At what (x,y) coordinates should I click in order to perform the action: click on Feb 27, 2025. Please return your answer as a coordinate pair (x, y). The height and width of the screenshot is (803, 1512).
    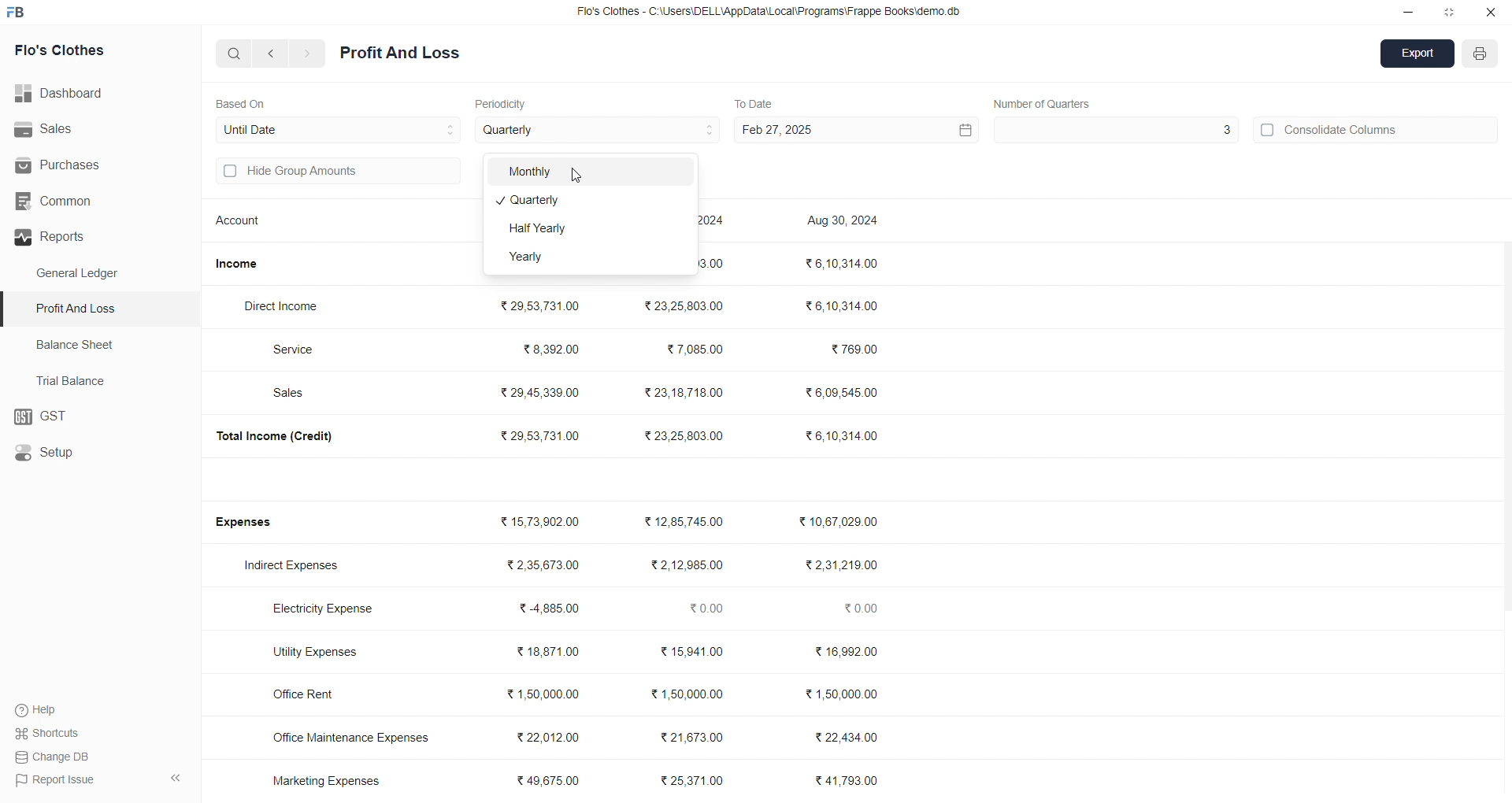
    Looking at the image, I should click on (854, 130).